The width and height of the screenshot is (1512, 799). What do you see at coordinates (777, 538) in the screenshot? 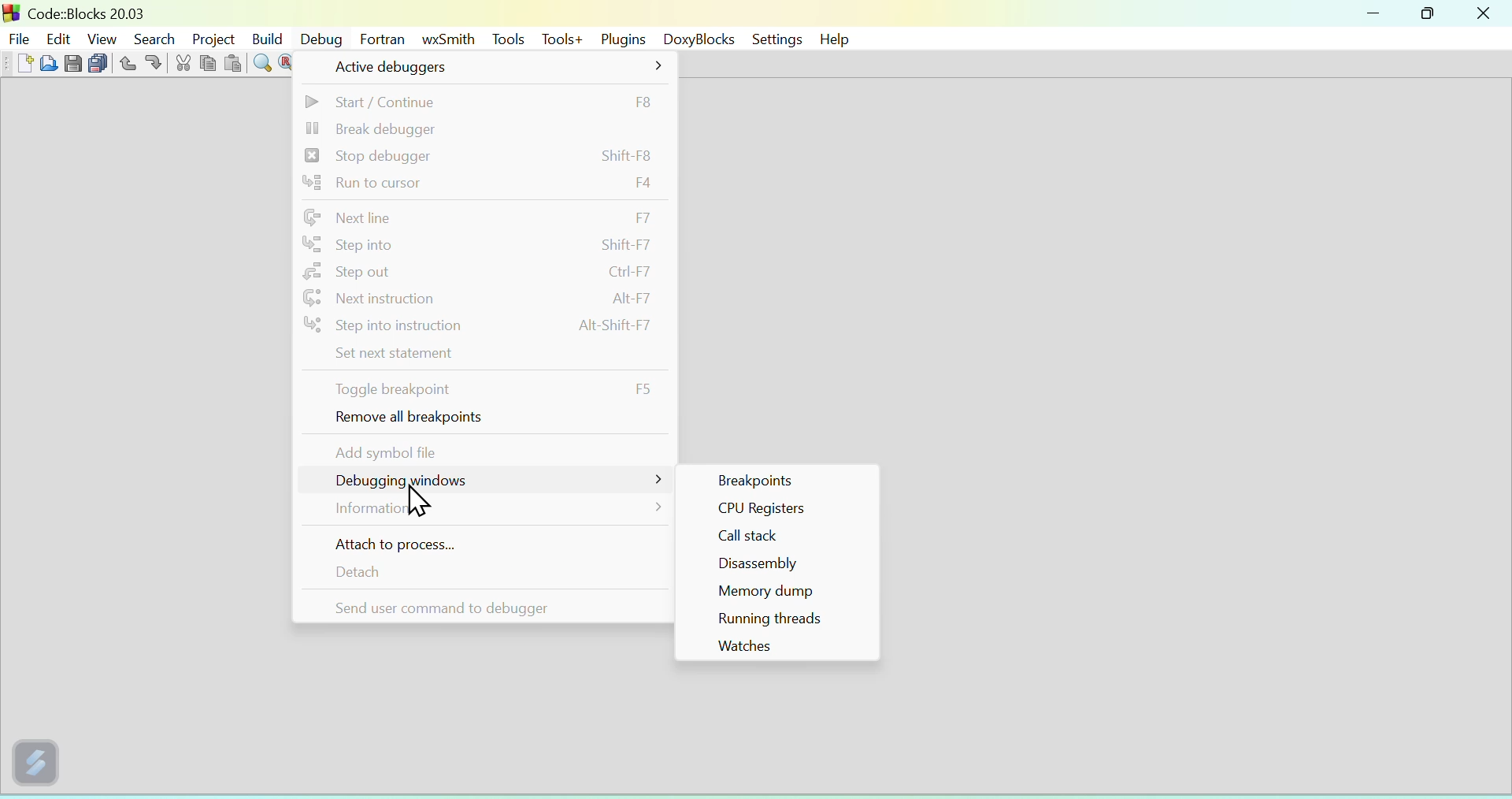
I see `Call stack` at bounding box center [777, 538].